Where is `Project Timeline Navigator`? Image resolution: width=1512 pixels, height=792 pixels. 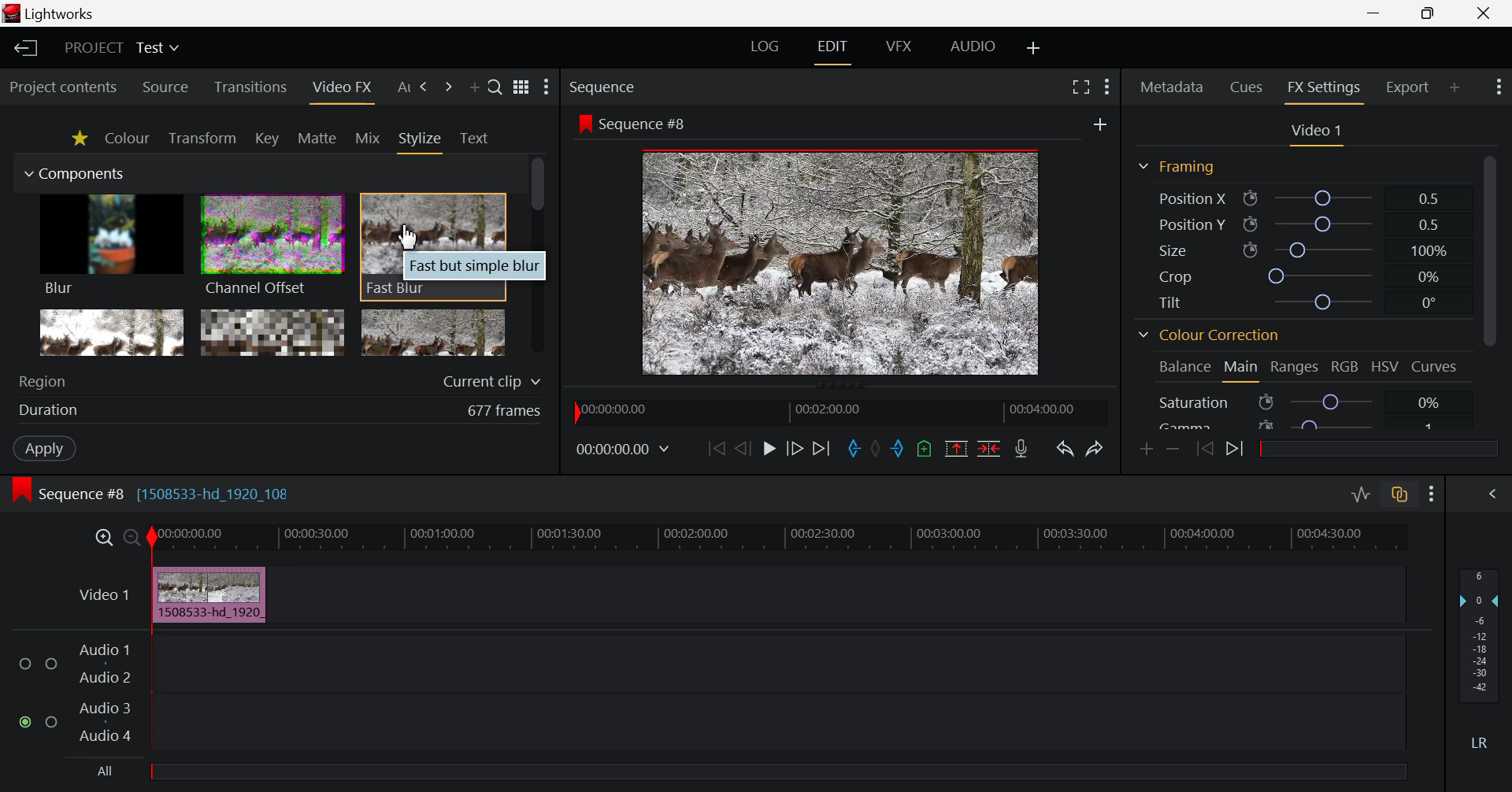 Project Timeline Navigator is located at coordinates (836, 411).